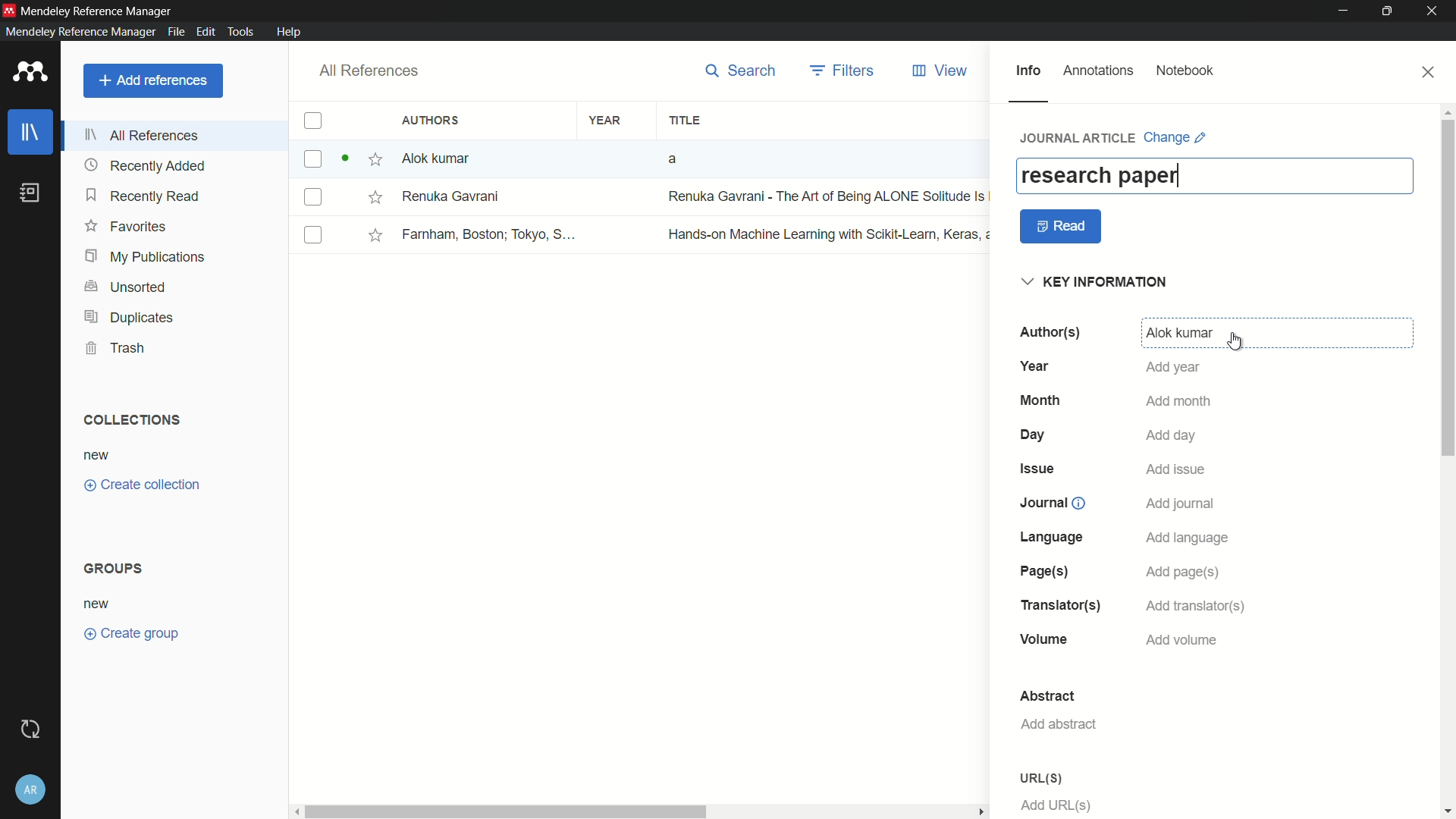 This screenshot has height=819, width=1456. I want to click on unsorted, so click(127, 288).